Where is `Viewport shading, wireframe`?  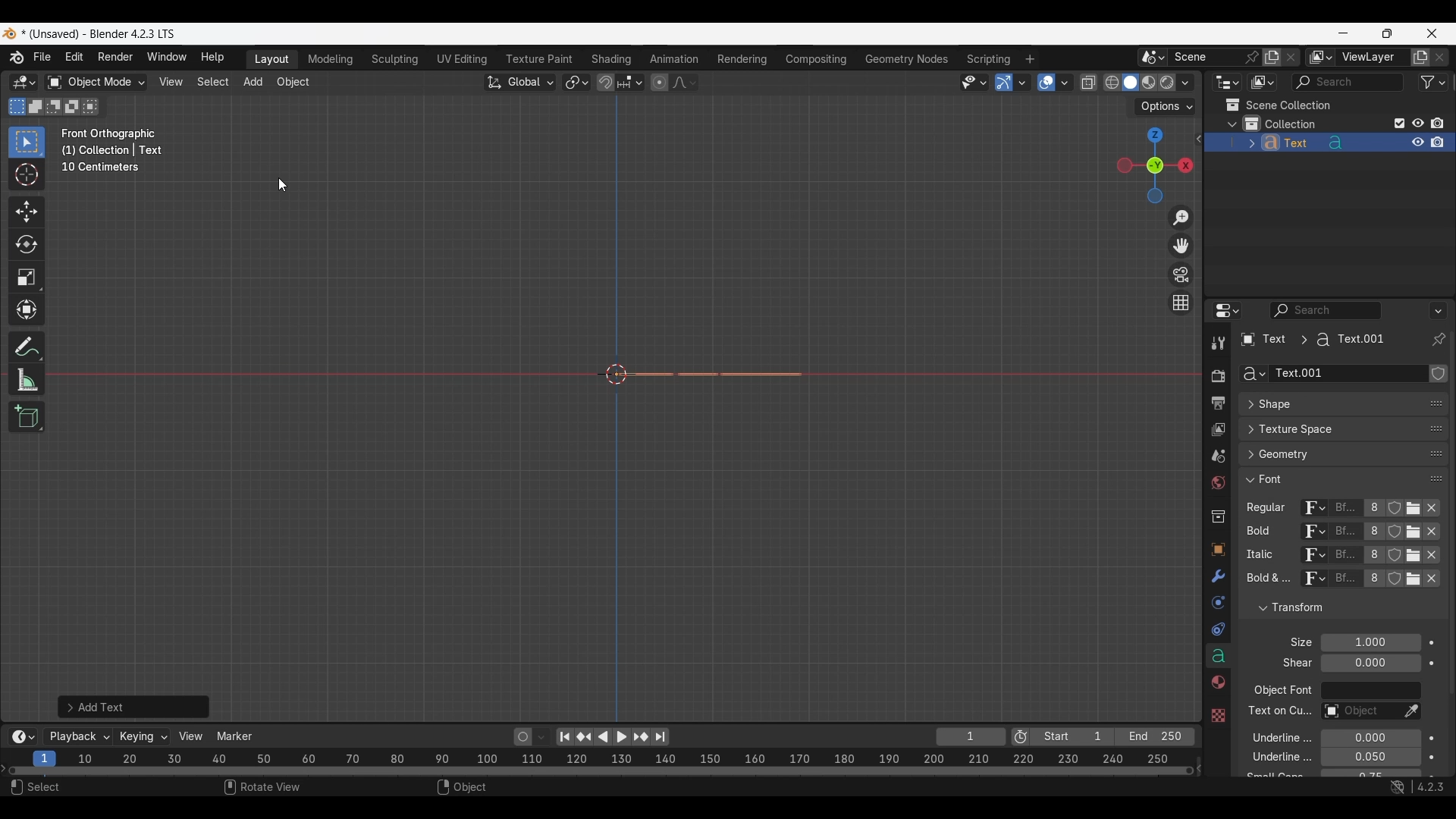
Viewport shading, wireframe is located at coordinates (1112, 83).